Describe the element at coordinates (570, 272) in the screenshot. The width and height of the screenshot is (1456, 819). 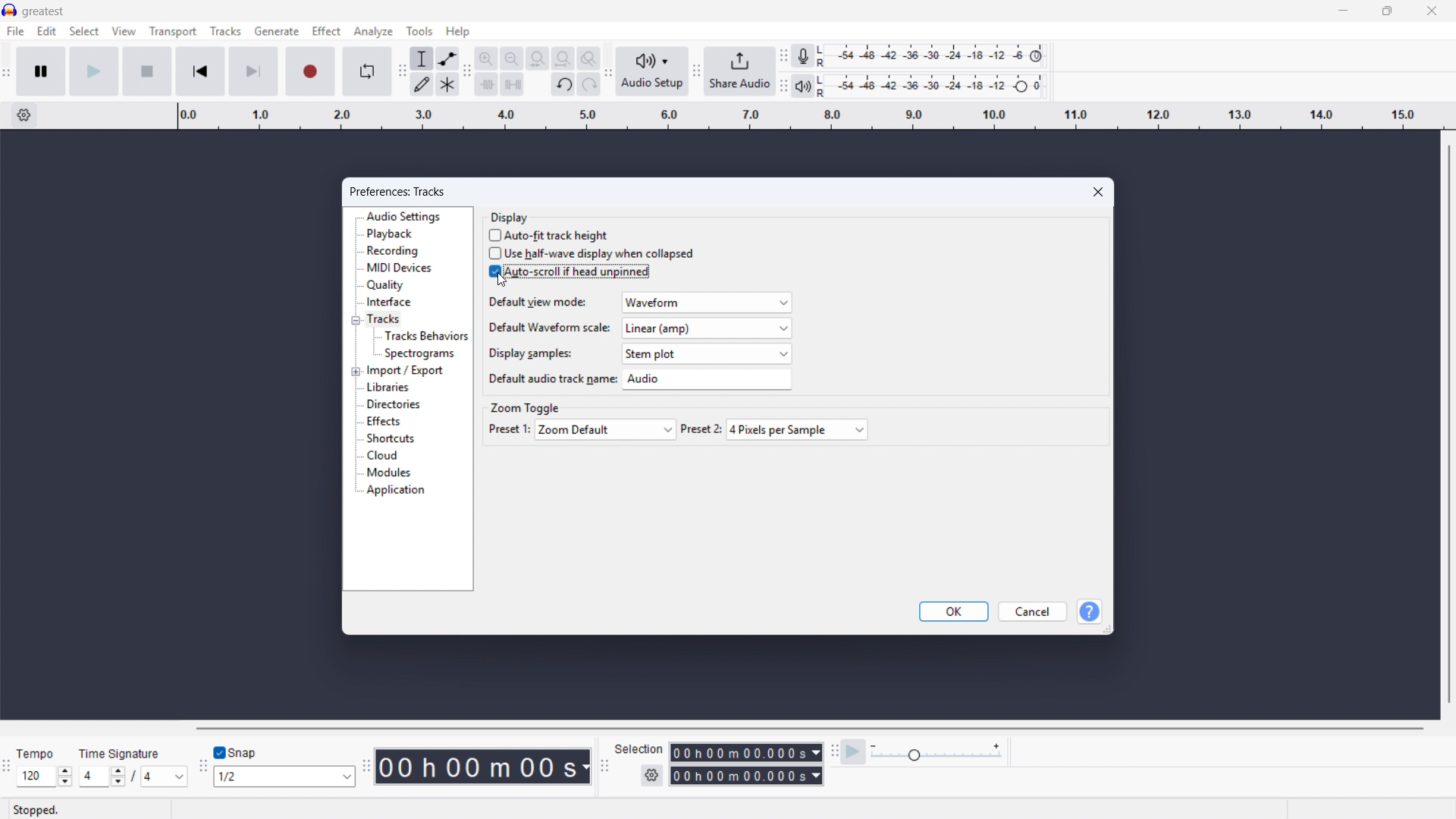
I see `Auto scroll option ticked ` at that location.